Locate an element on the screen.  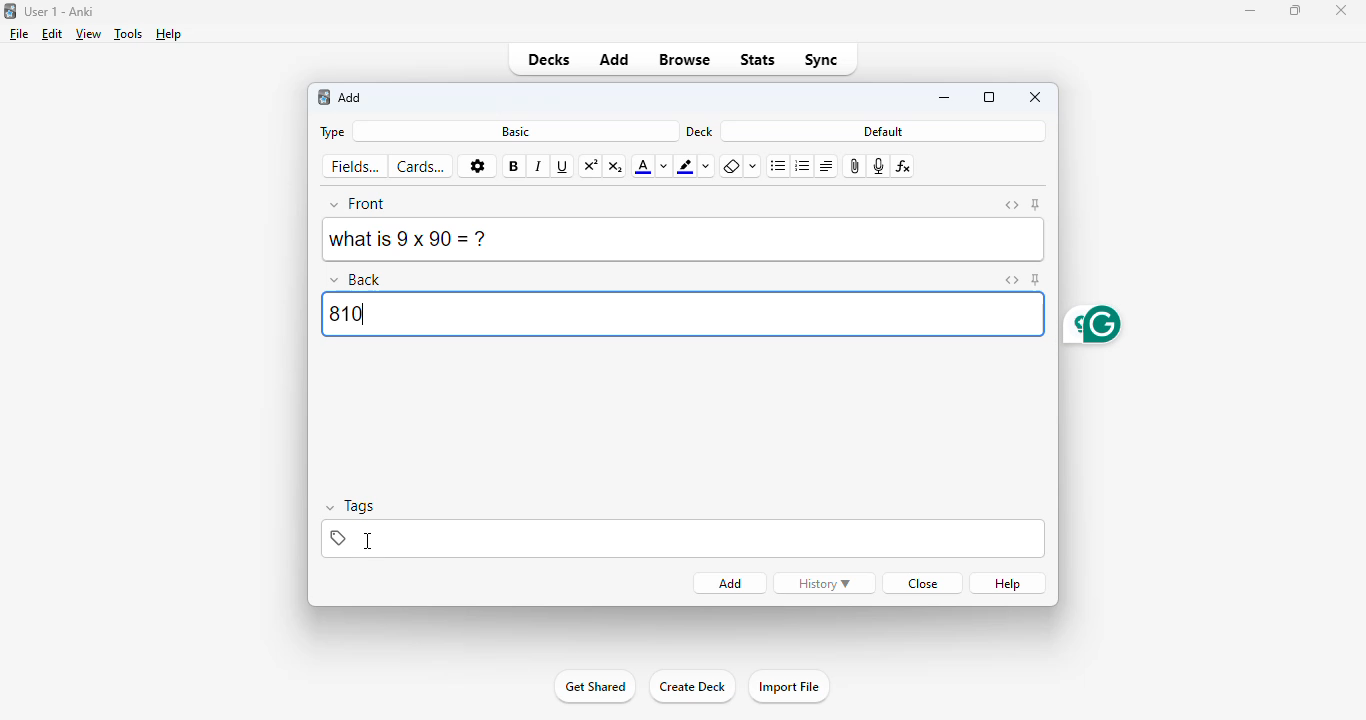
browse is located at coordinates (686, 59).